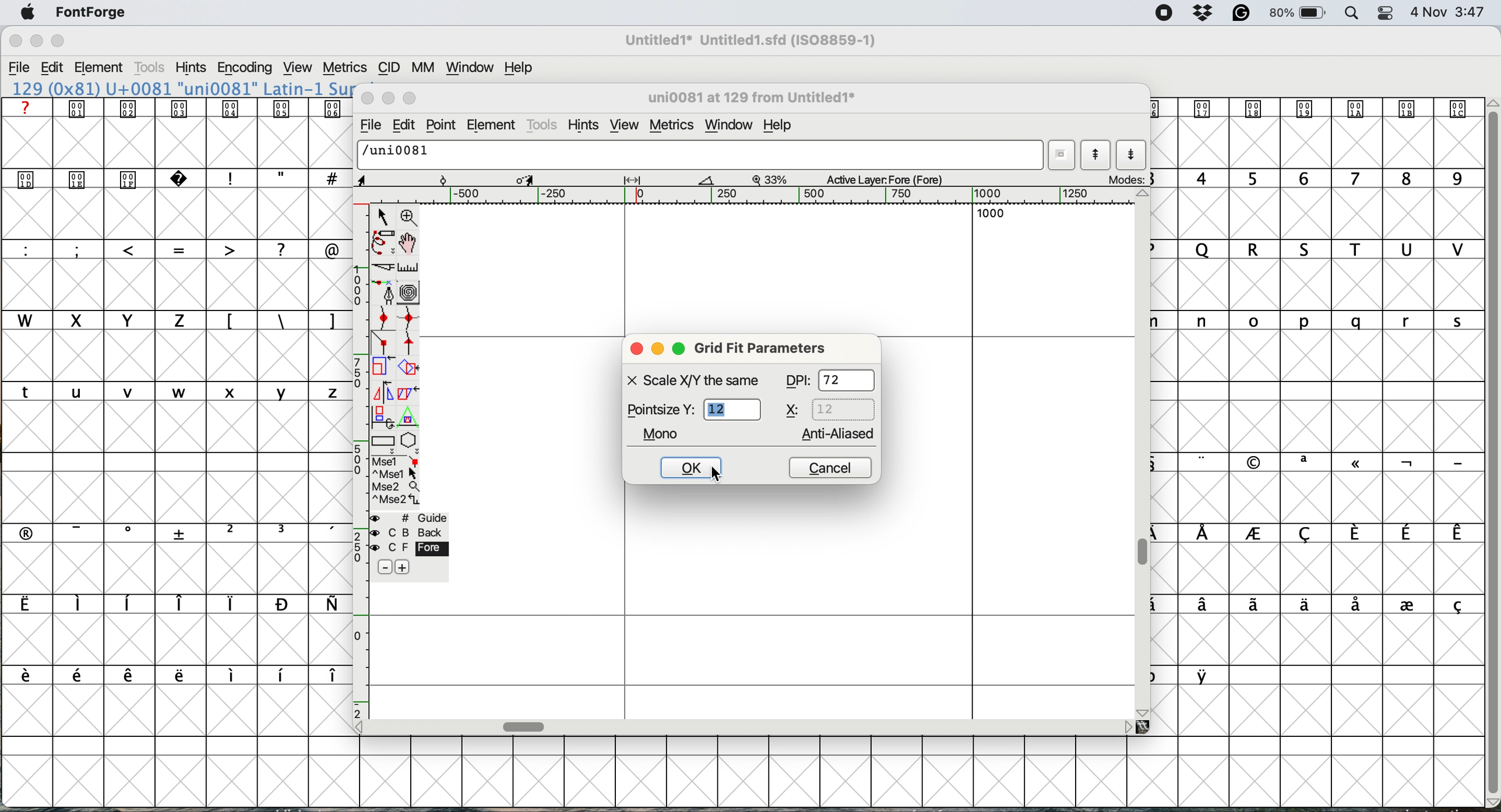 This screenshot has height=812, width=1501. Describe the element at coordinates (584, 124) in the screenshot. I see `hints` at that location.